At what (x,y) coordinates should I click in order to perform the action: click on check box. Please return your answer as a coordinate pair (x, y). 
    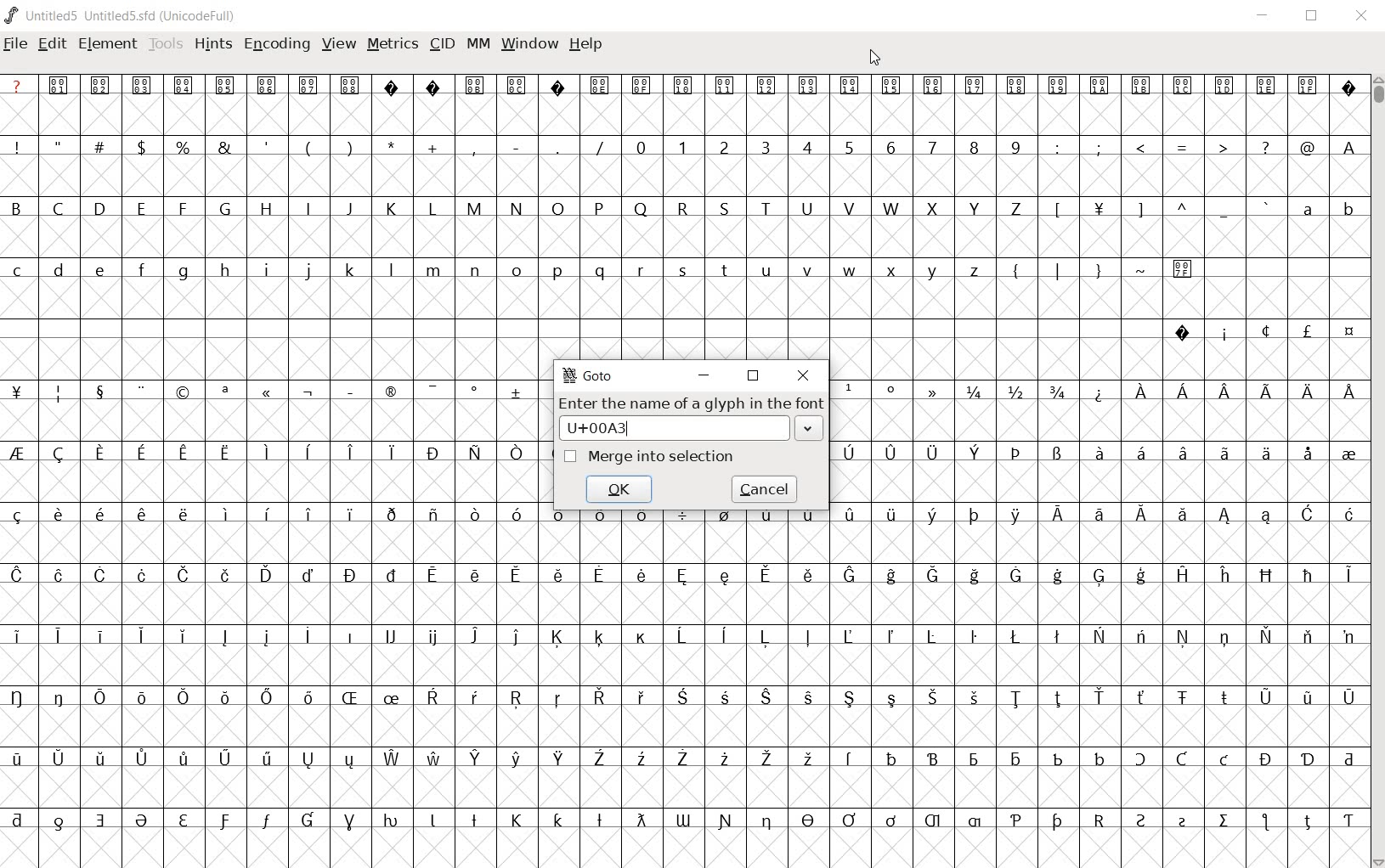
    Looking at the image, I should click on (569, 456).